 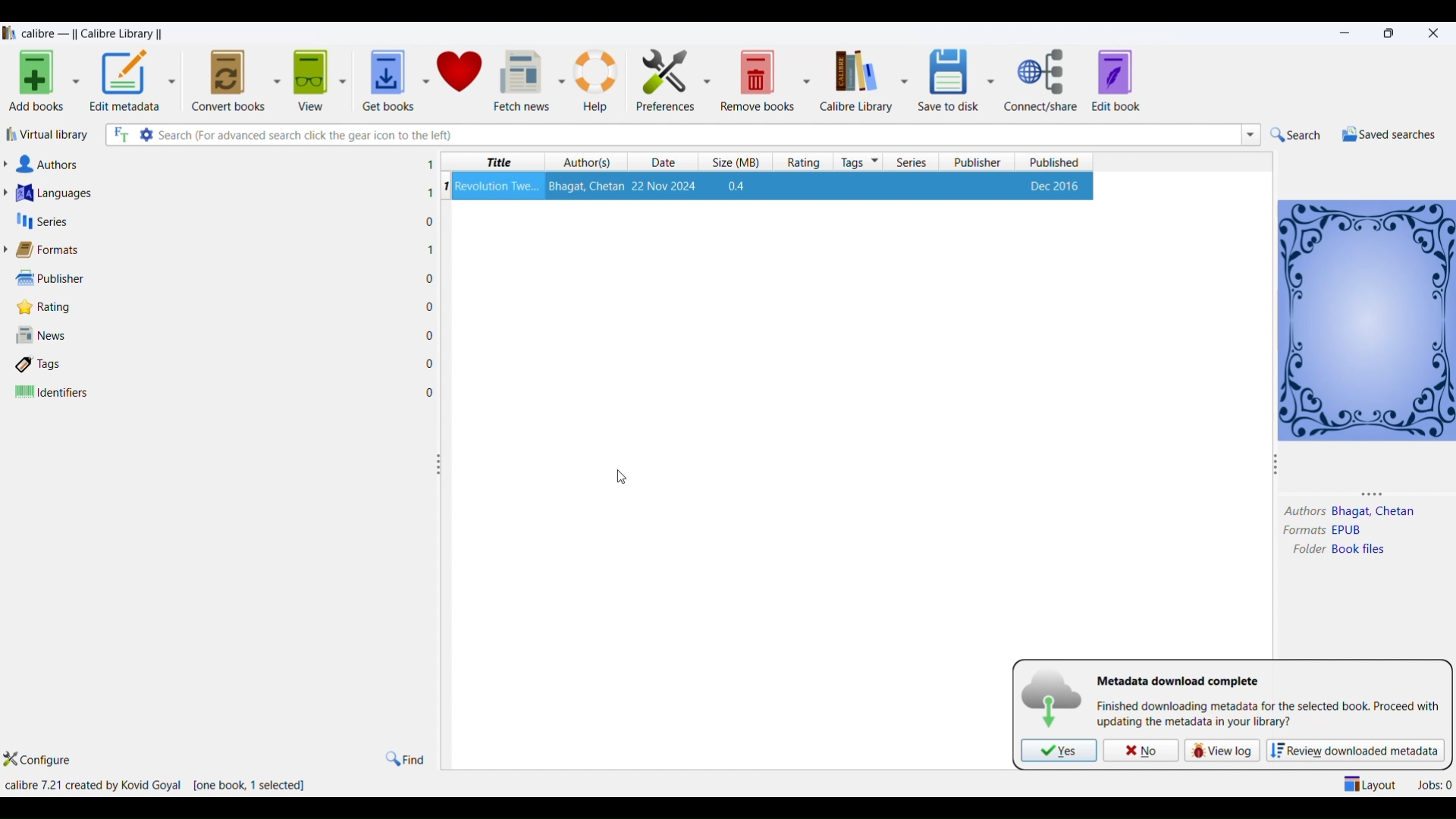 What do you see at coordinates (773, 186) in the screenshot?
I see `book details` at bounding box center [773, 186].